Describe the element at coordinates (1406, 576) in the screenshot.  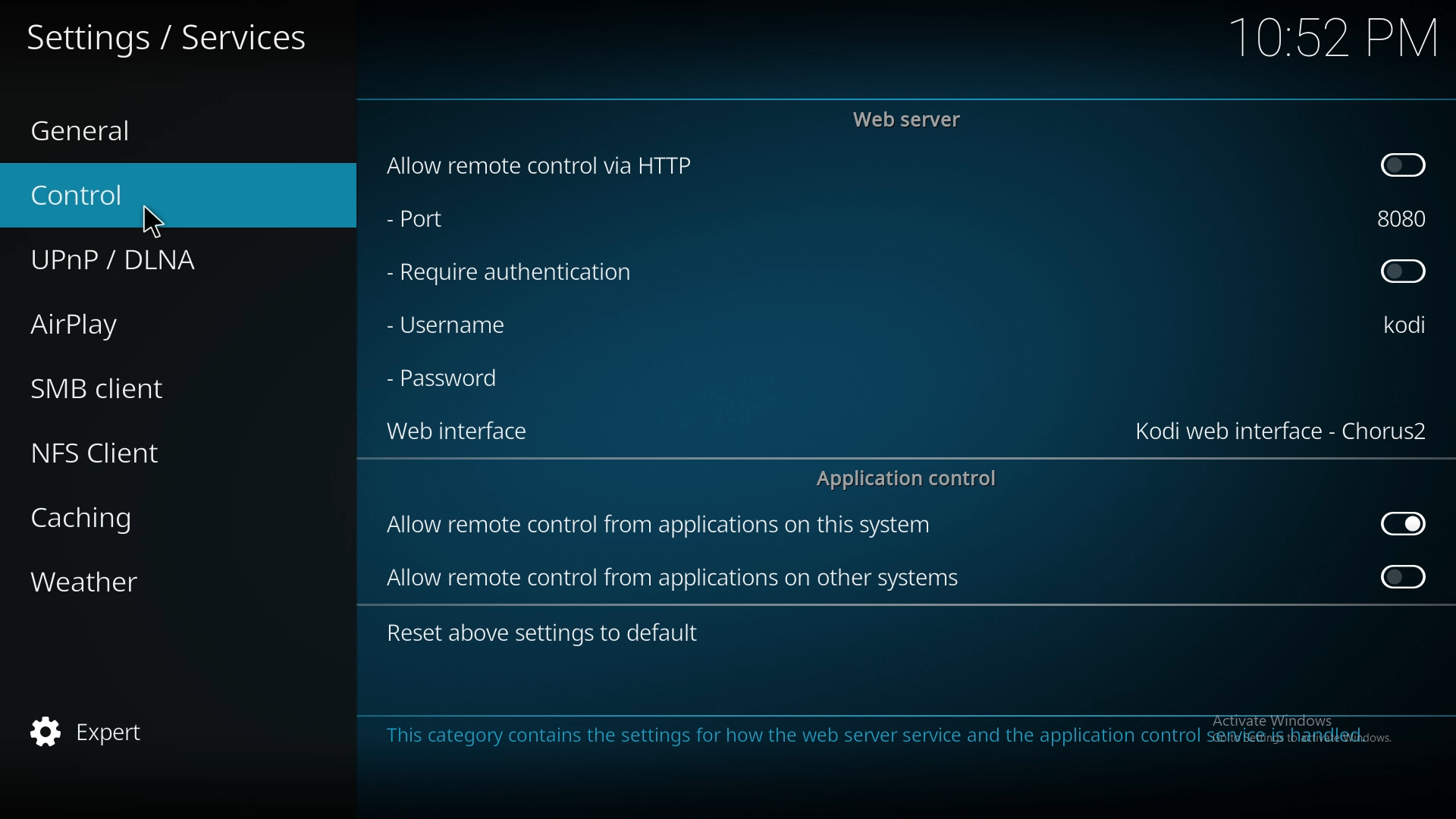
I see `toggle` at that location.